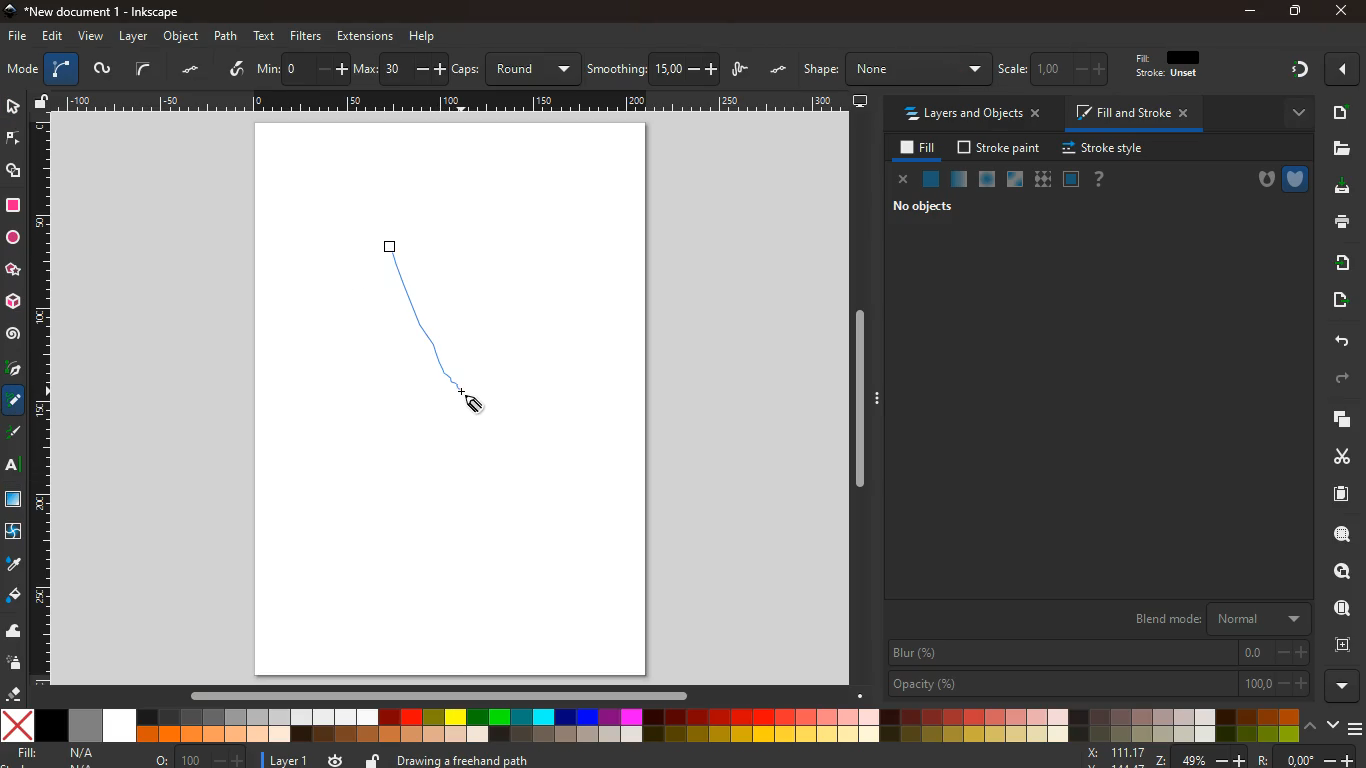 Image resolution: width=1366 pixels, height=768 pixels. What do you see at coordinates (1333, 723) in the screenshot?
I see `down` at bounding box center [1333, 723].